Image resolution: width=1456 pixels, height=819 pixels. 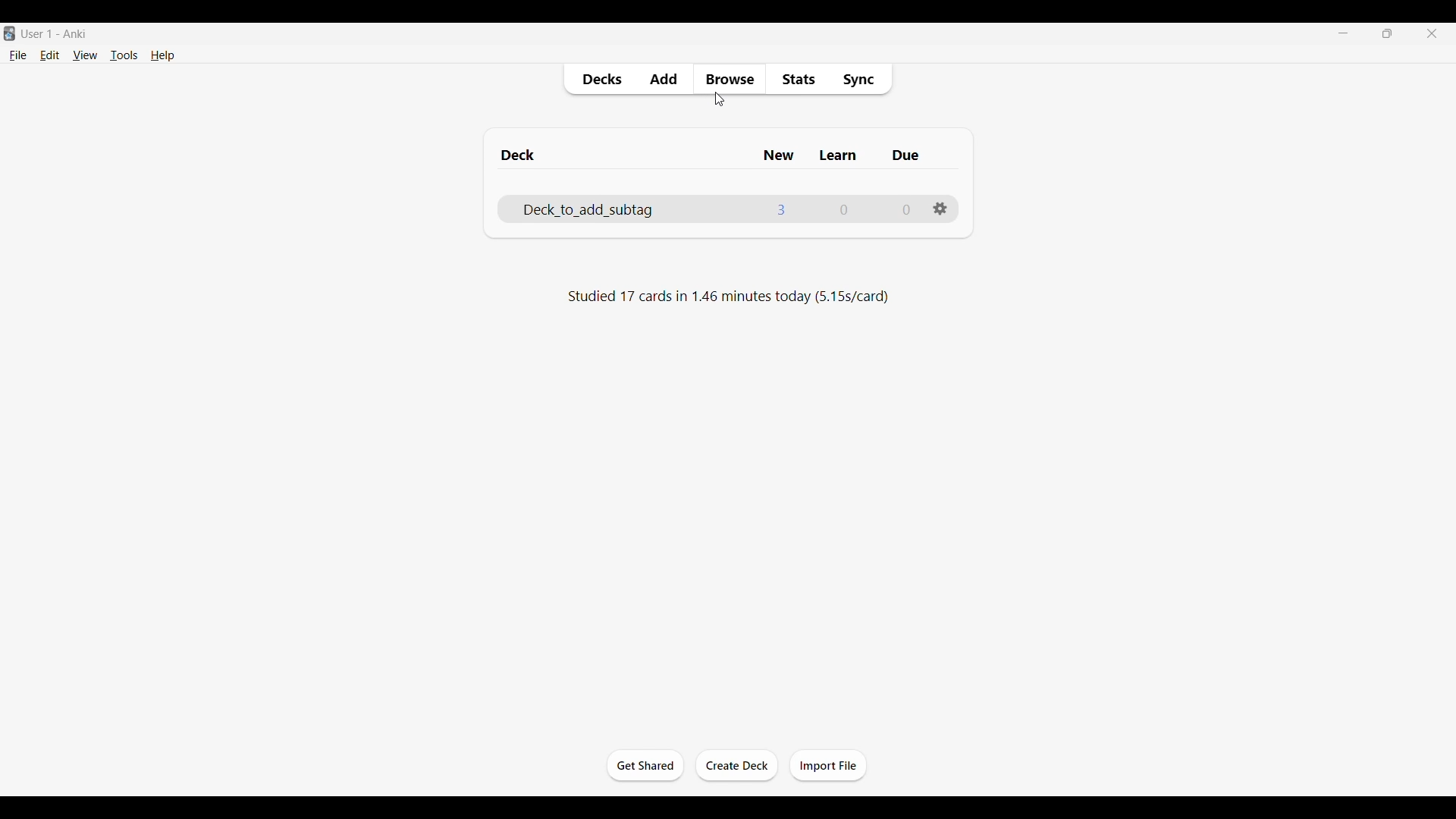 I want to click on Deck name, click to go to Study cards, so click(x=632, y=209).